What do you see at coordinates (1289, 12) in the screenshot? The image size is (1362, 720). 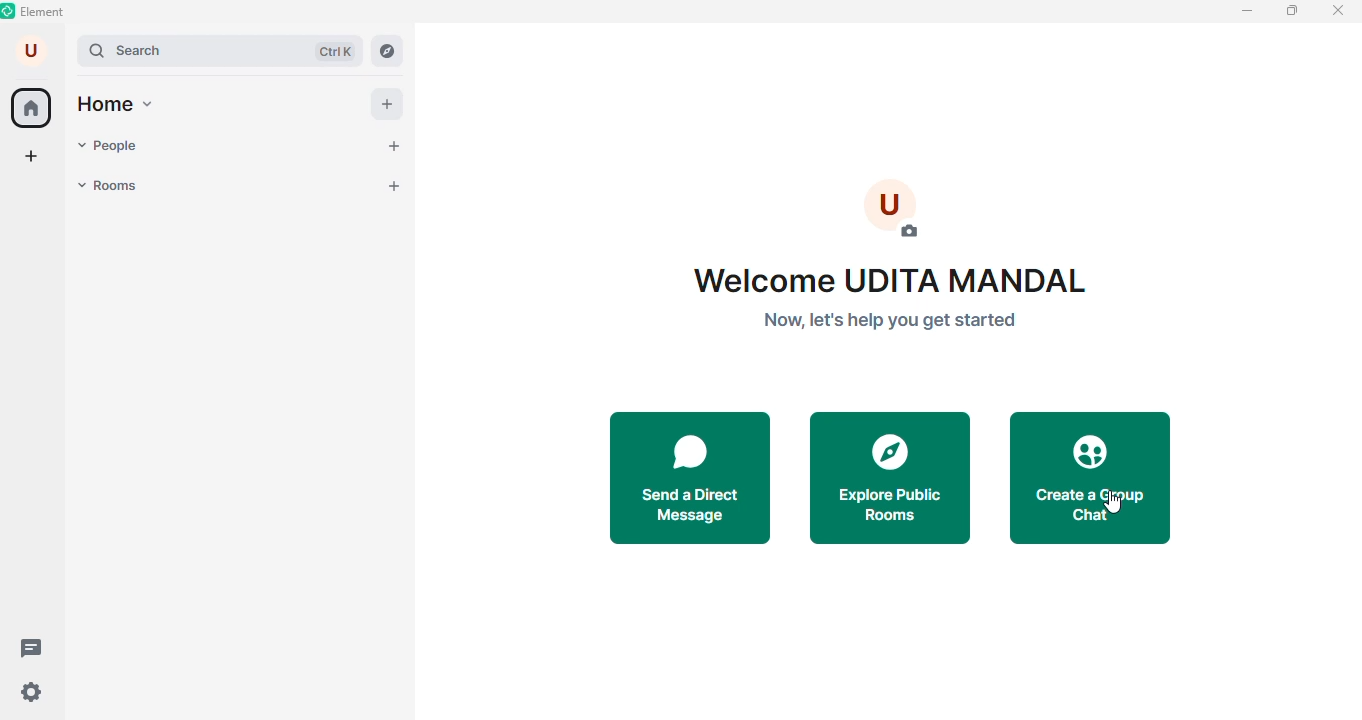 I see `maximize` at bounding box center [1289, 12].